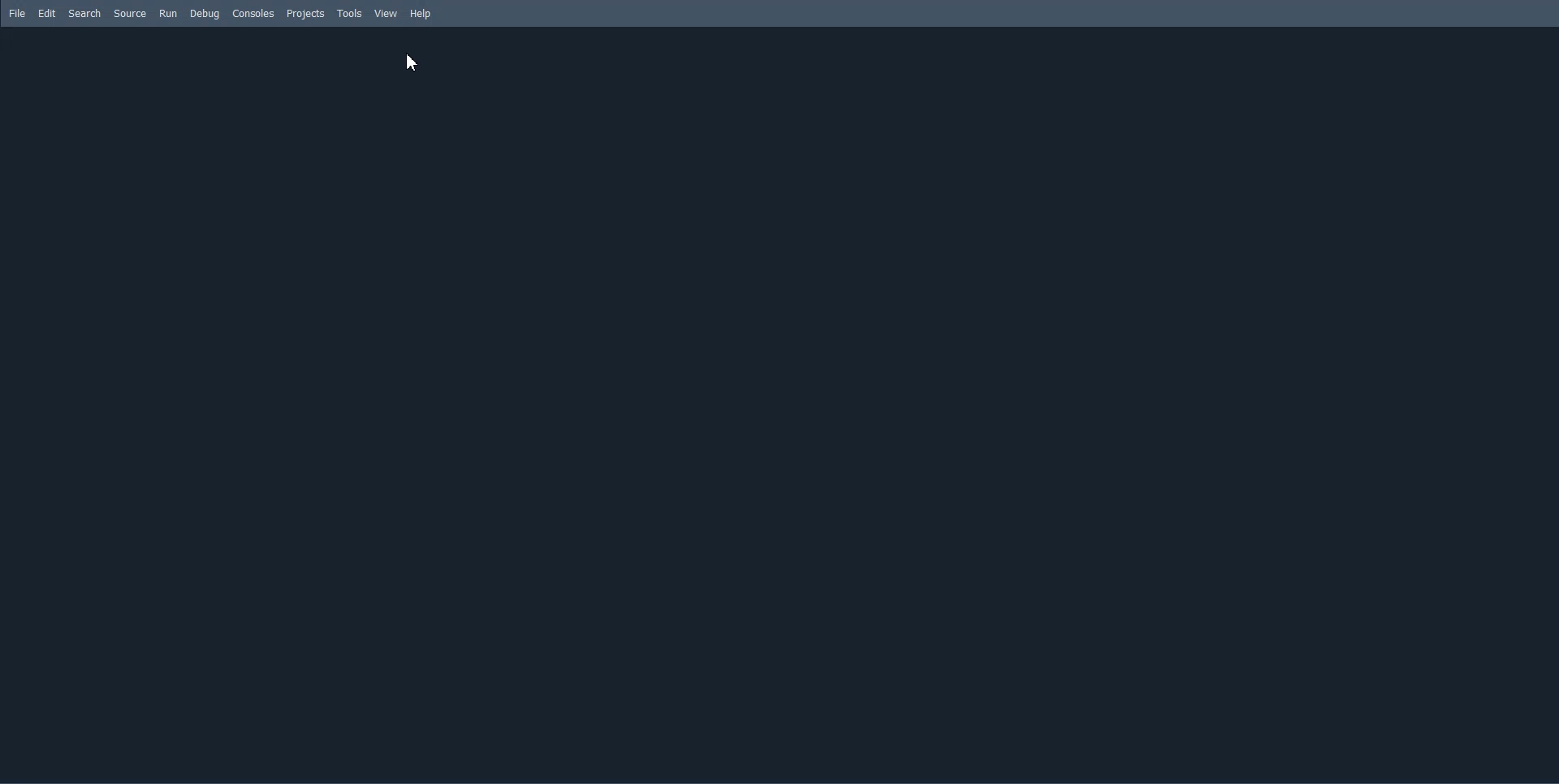 The width and height of the screenshot is (1559, 784). I want to click on Cursor, so click(412, 62).